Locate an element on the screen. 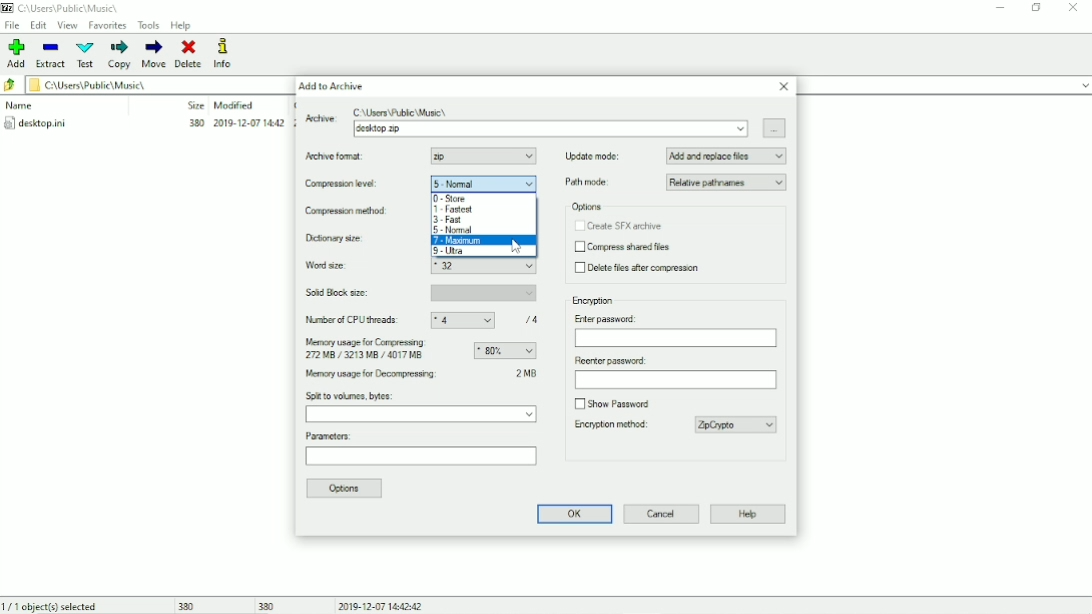 Image resolution: width=1092 pixels, height=614 pixels. Info is located at coordinates (231, 53).